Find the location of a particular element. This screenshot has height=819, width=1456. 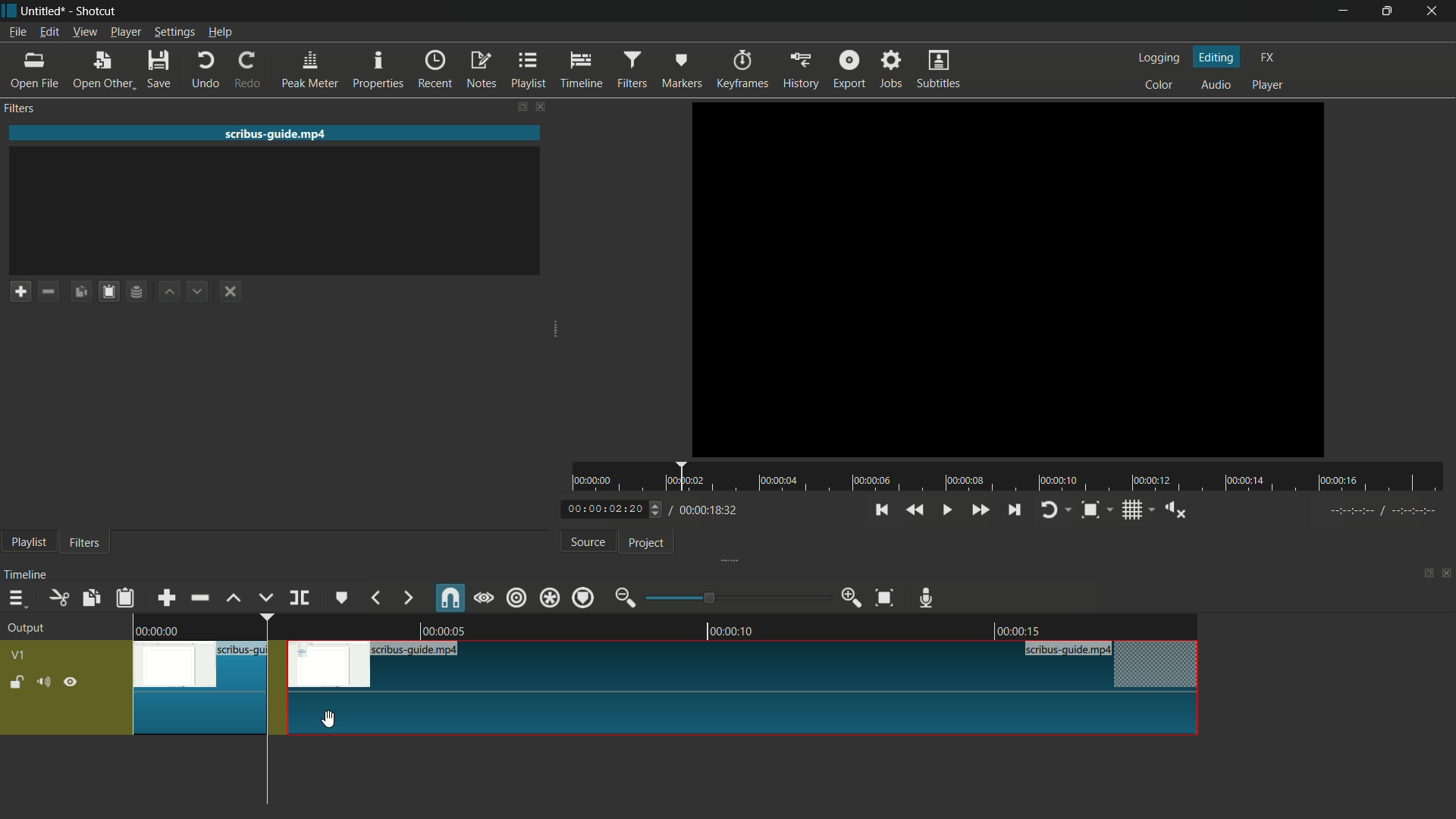

ripple all tracks is located at coordinates (549, 598).